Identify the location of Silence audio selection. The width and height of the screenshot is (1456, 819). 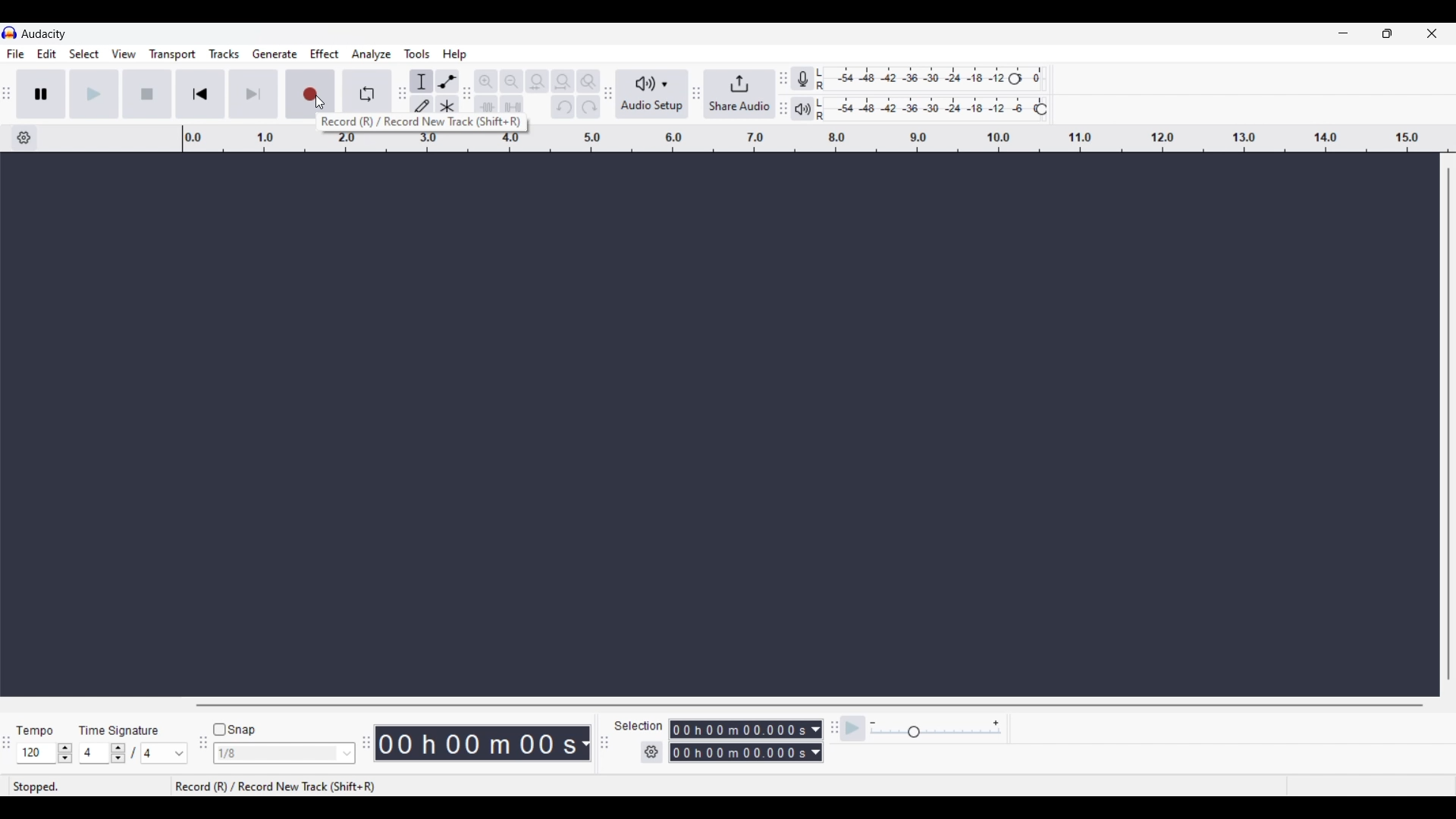
(512, 107).